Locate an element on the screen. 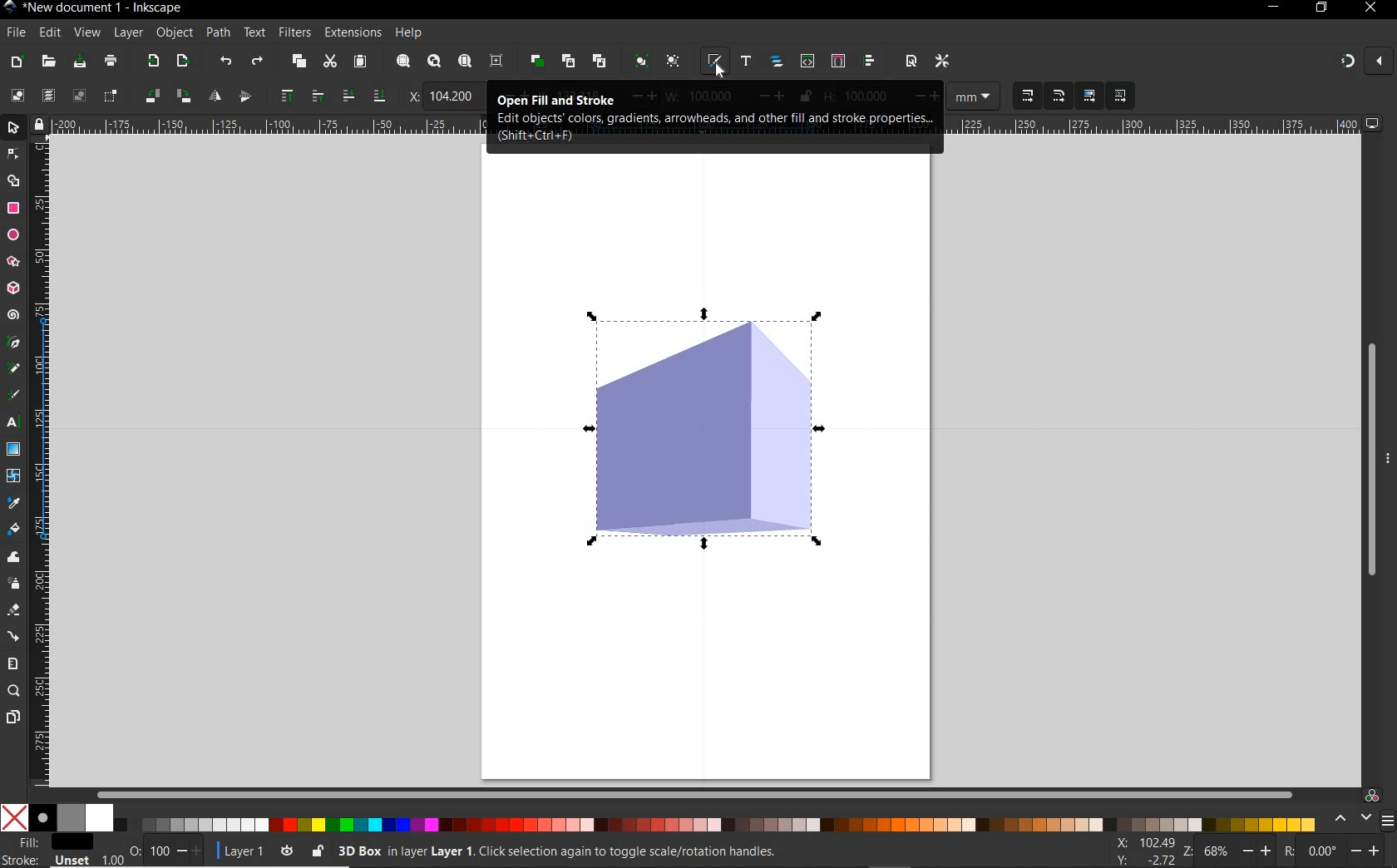 The width and height of the screenshot is (1397, 868). DESELECT is located at coordinates (79, 96).